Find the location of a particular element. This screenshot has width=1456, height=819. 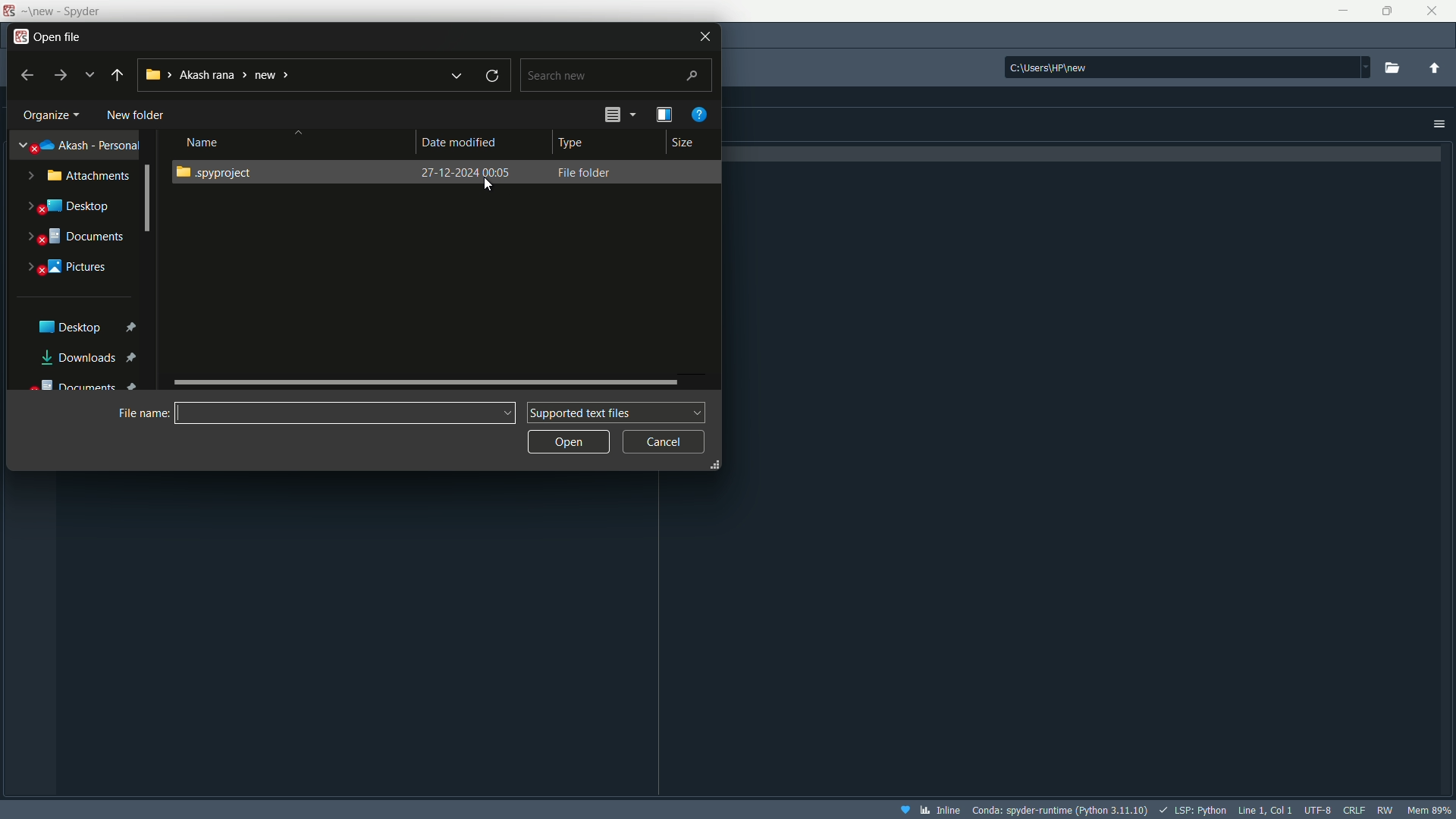

forward is located at coordinates (57, 76).